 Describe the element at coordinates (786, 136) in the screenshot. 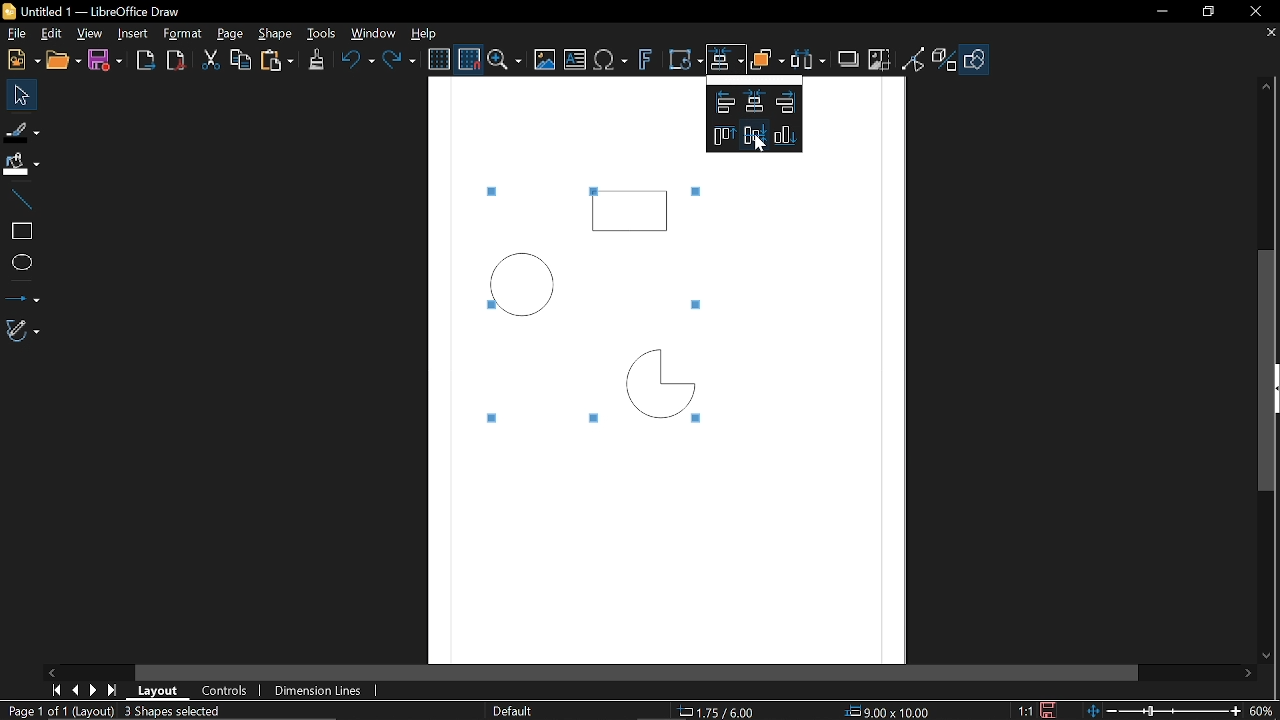

I see `Align down` at that location.